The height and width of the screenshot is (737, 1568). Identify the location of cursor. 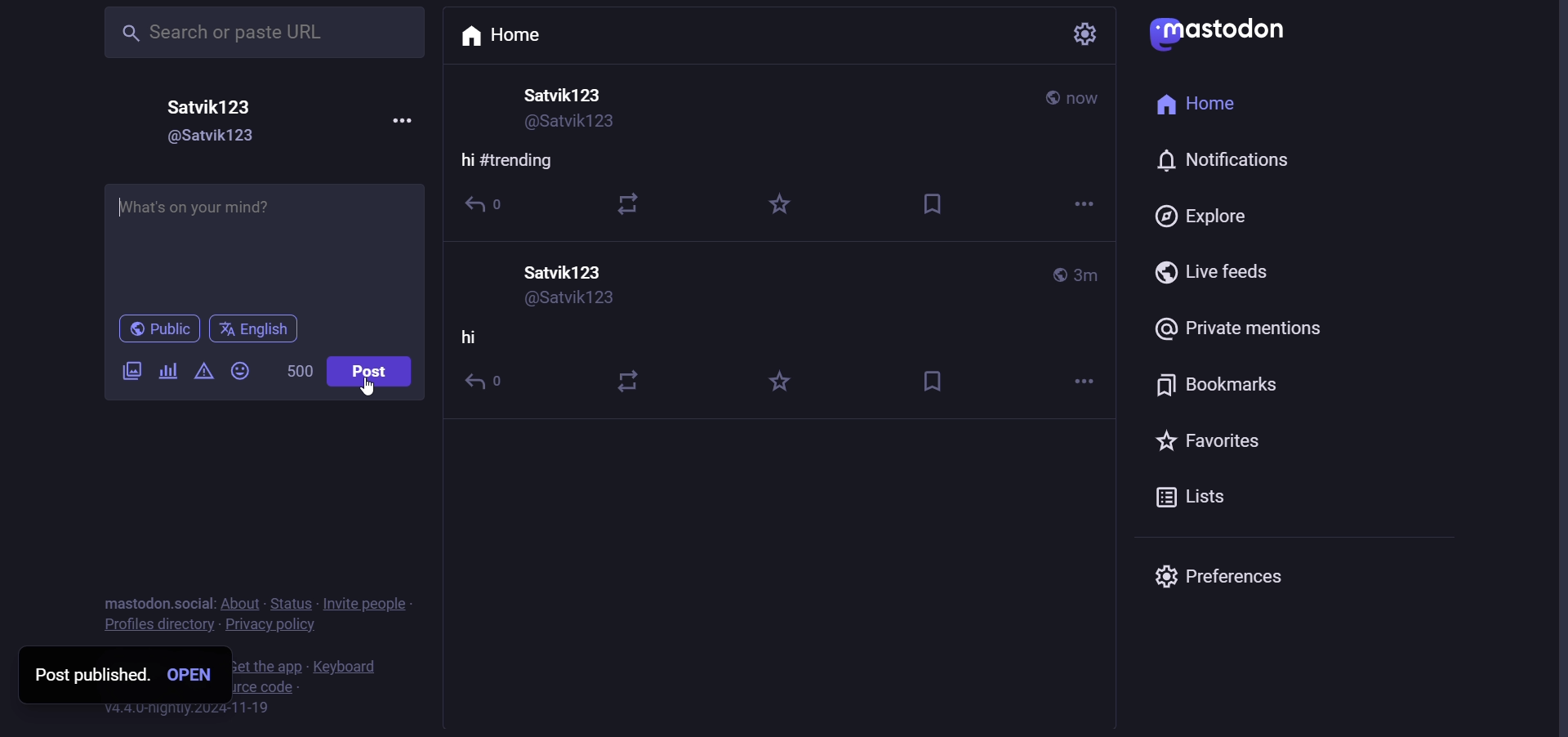
(367, 388).